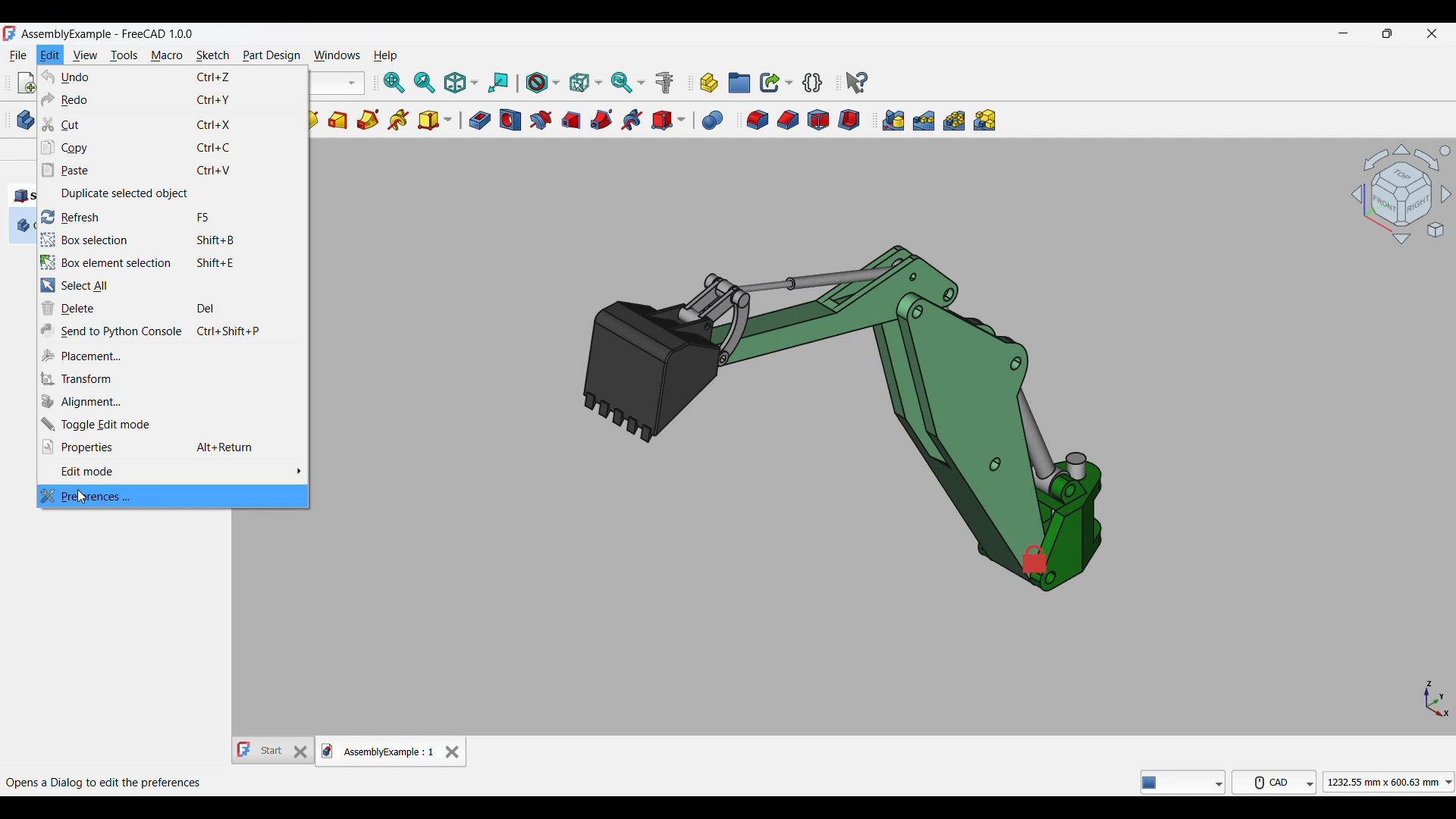 This screenshot has width=1456, height=819. Describe the element at coordinates (819, 120) in the screenshot. I see `Draft` at that location.